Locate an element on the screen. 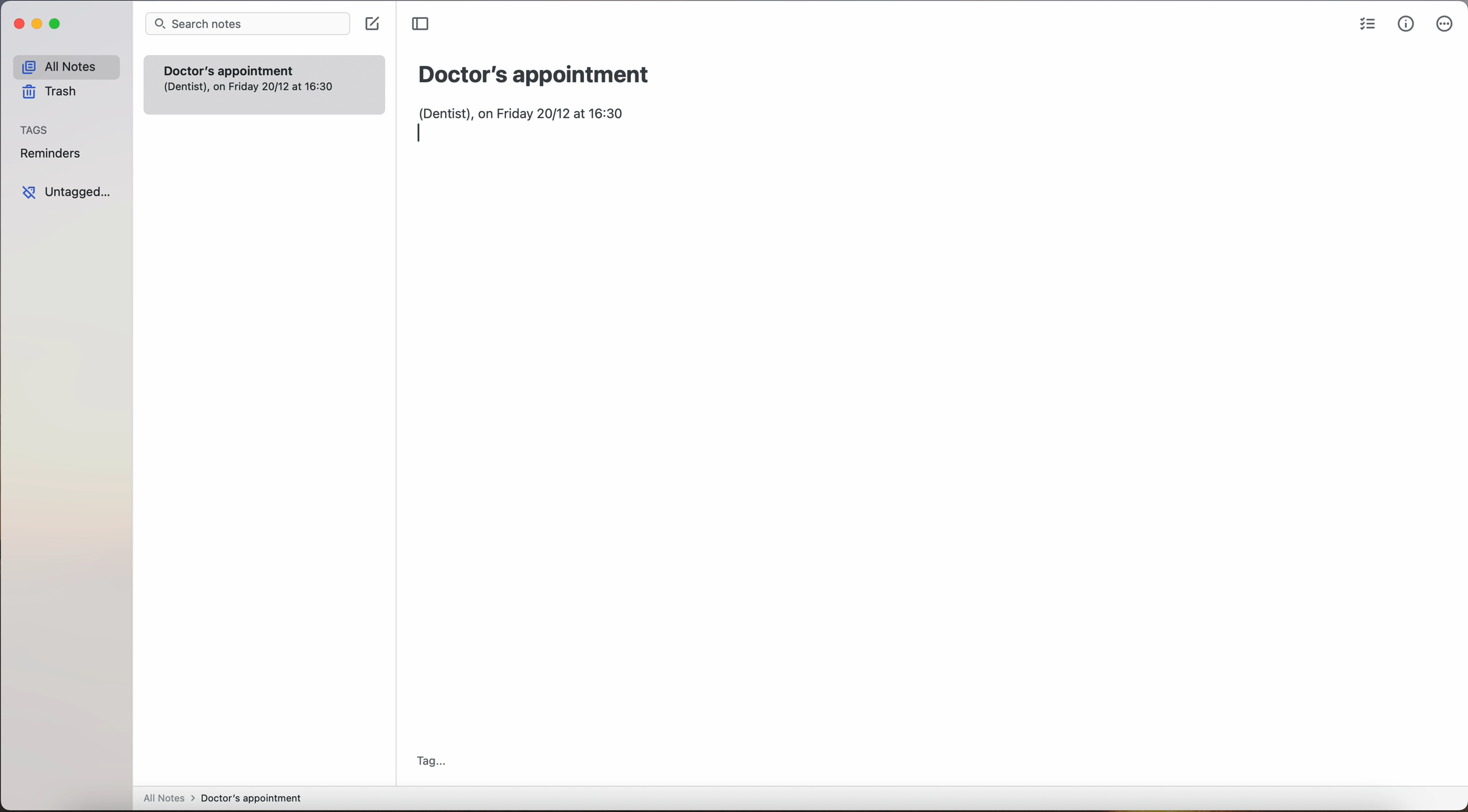  check list is located at coordinates (1364, 25).